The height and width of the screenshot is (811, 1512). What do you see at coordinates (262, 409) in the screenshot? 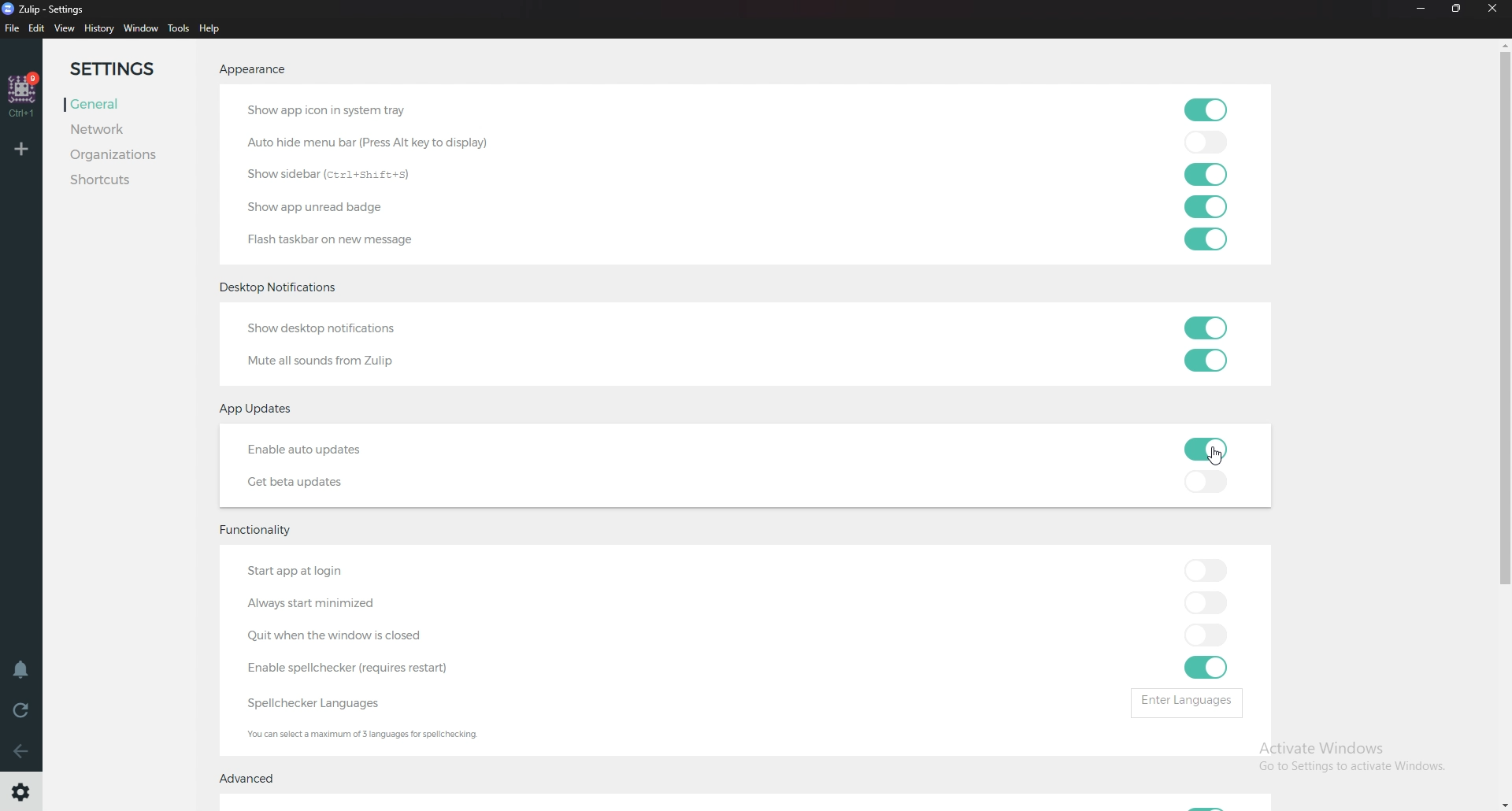
I see `App updates` at bounding box center [262, 409].